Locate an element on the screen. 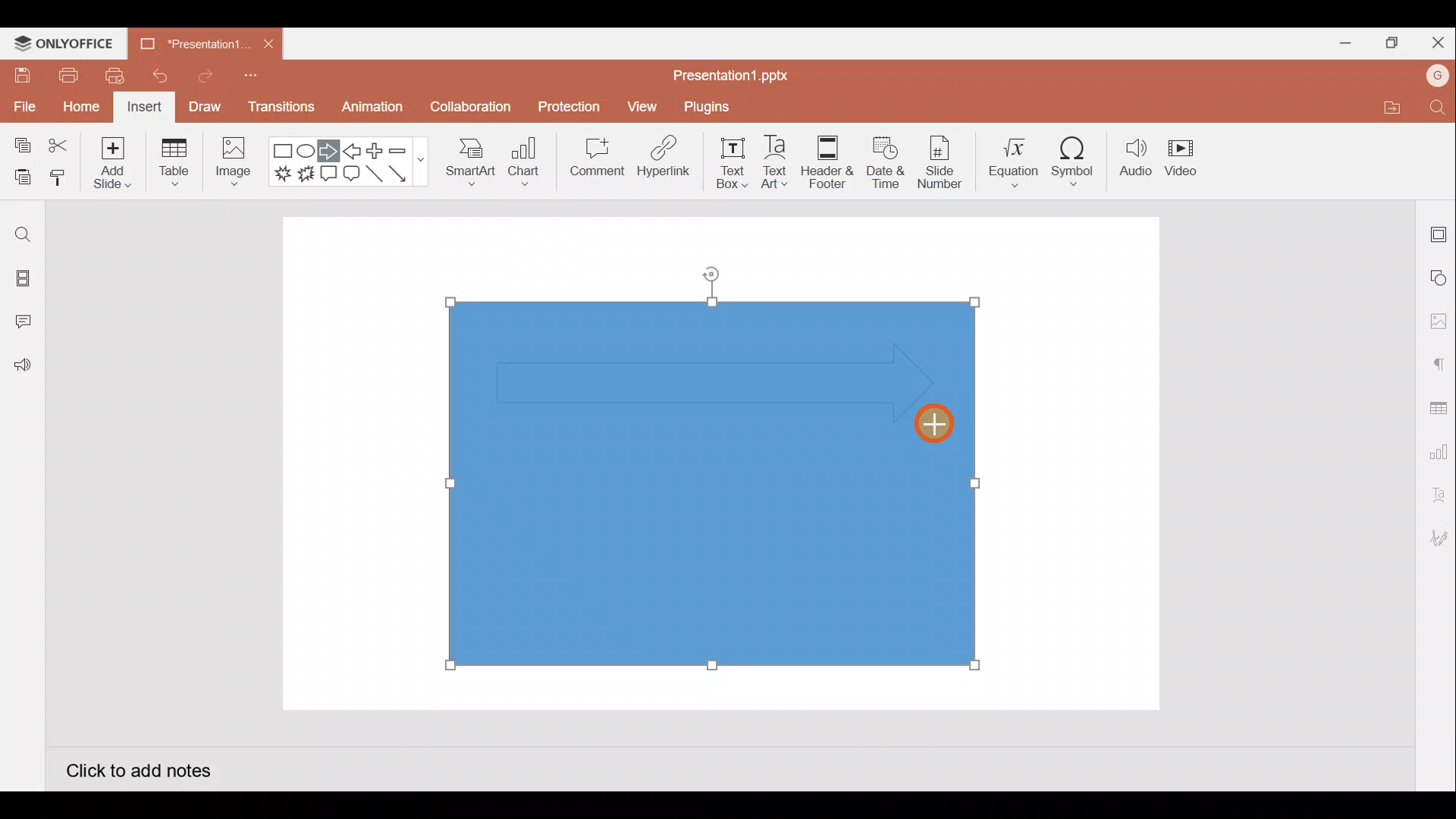 This screenshot has width=1456, height=819. Copy is located at coordinates (20, 146).